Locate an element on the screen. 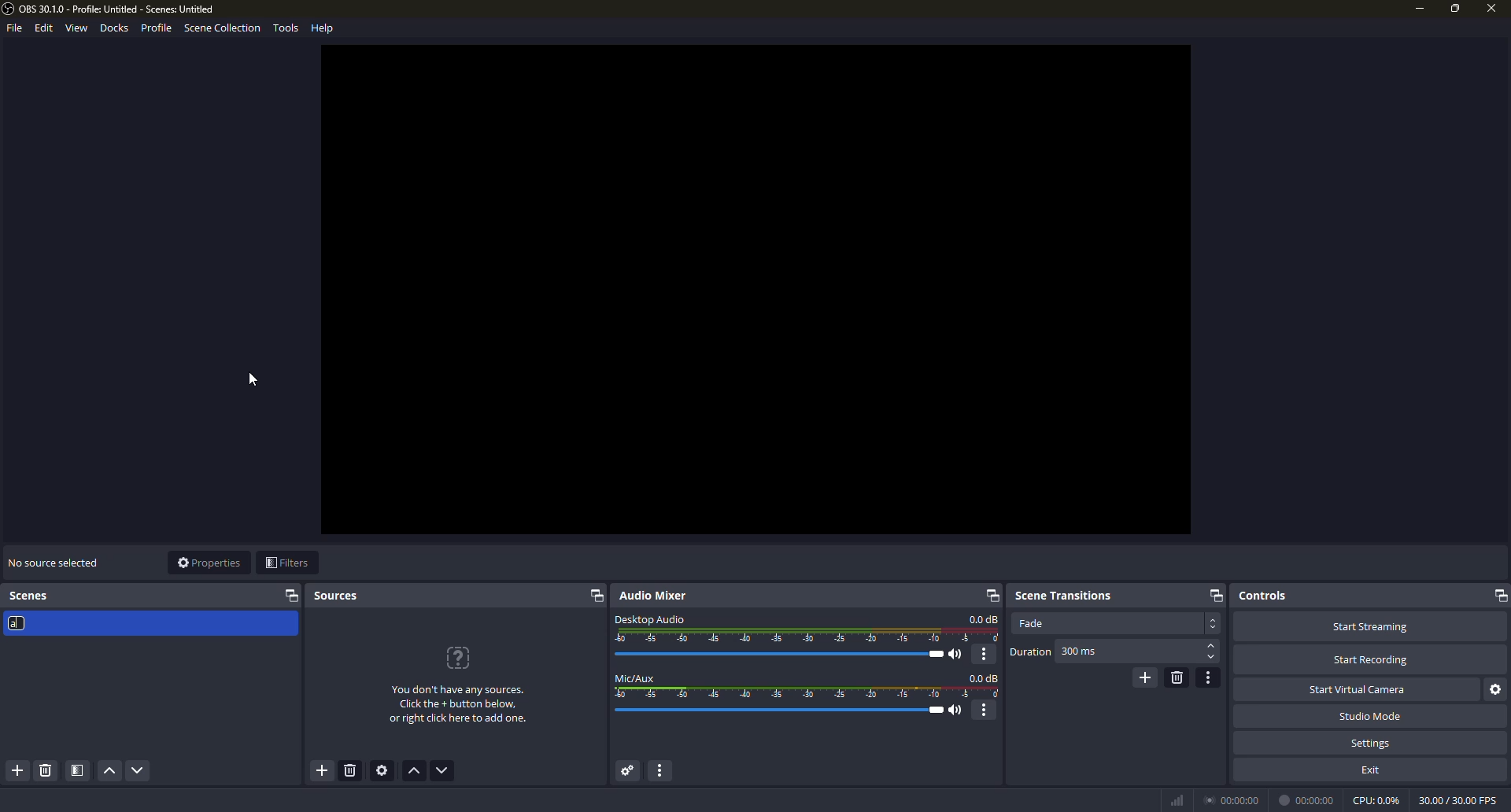 Image resolution: width=1511 pixels, height=812 pixels. remove configurable transition is located at coordinates (1177, 677).